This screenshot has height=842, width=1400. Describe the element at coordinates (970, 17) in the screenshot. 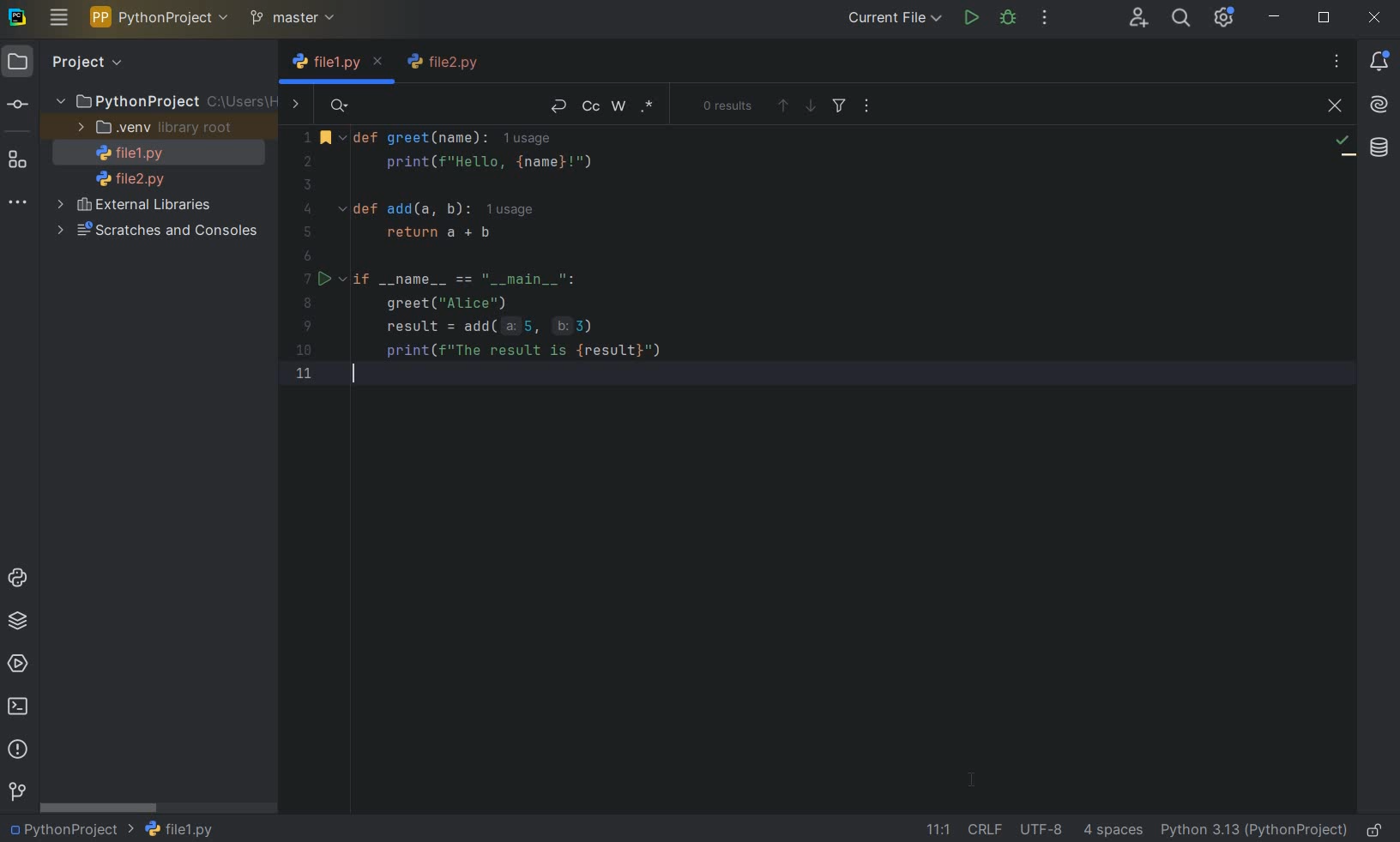

I see `RUN` at that location.